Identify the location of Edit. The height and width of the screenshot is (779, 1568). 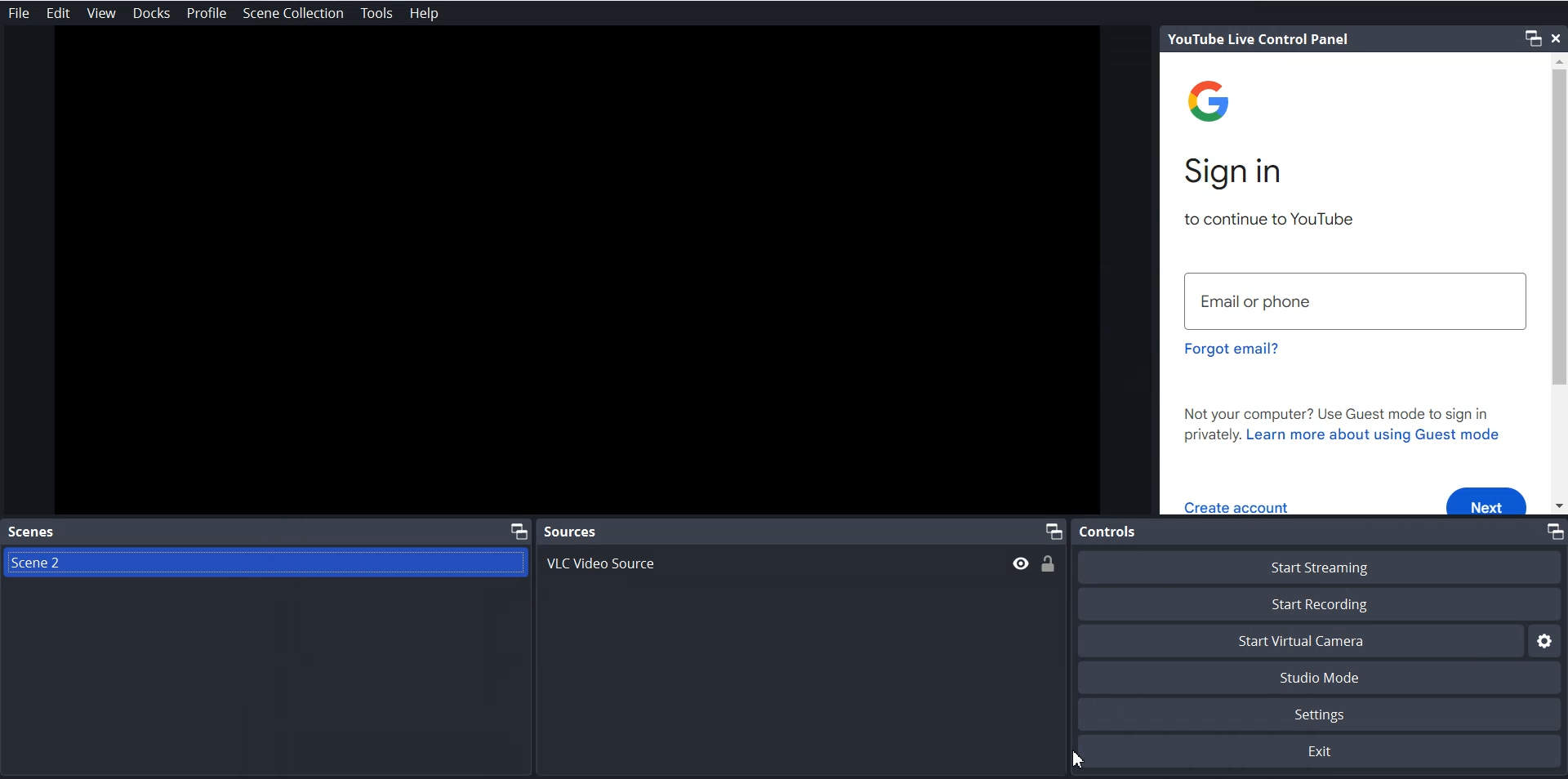
(59, 13).